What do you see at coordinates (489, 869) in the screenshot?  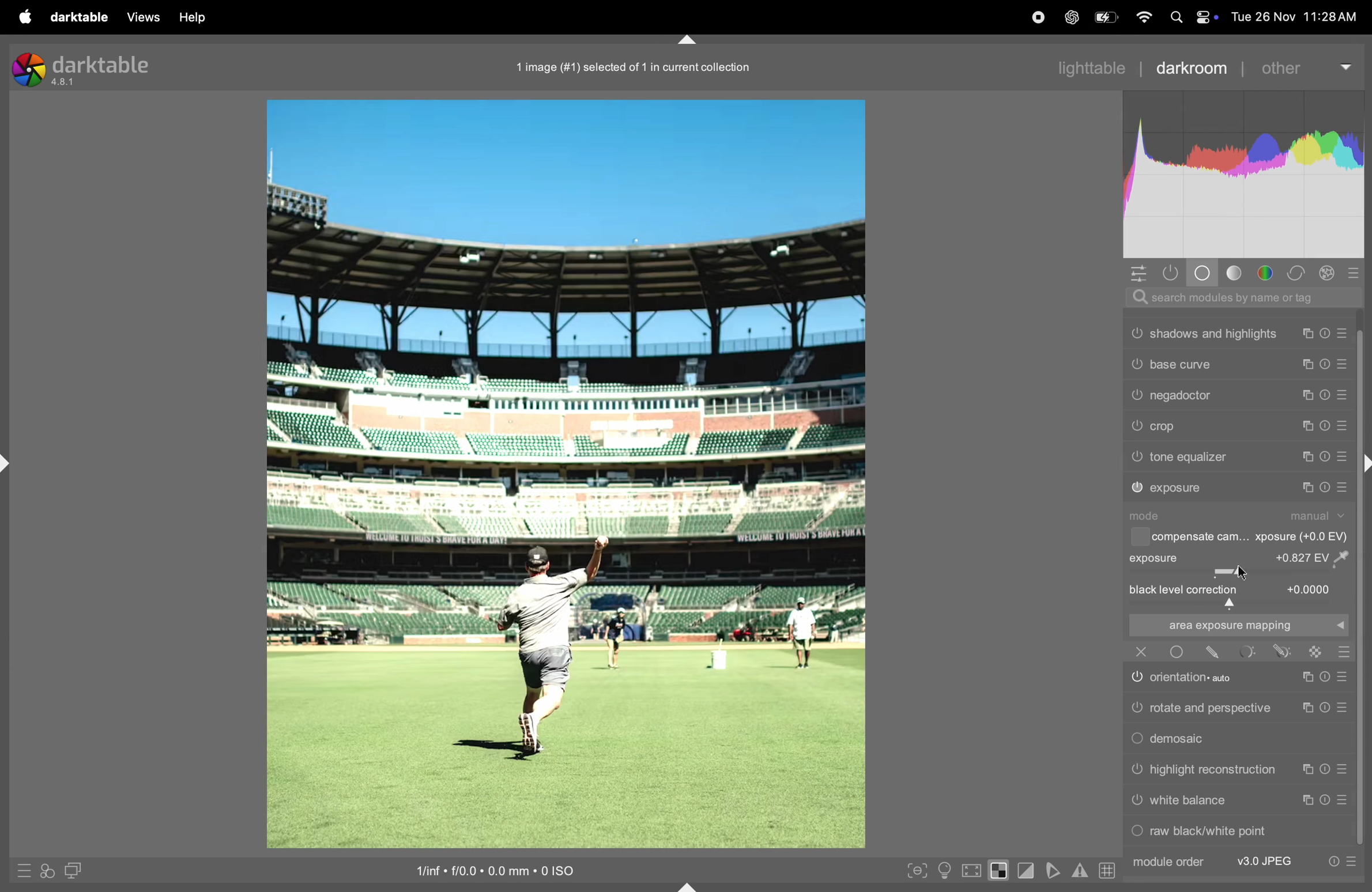 I see `iso` at bounding box center [489, 869].